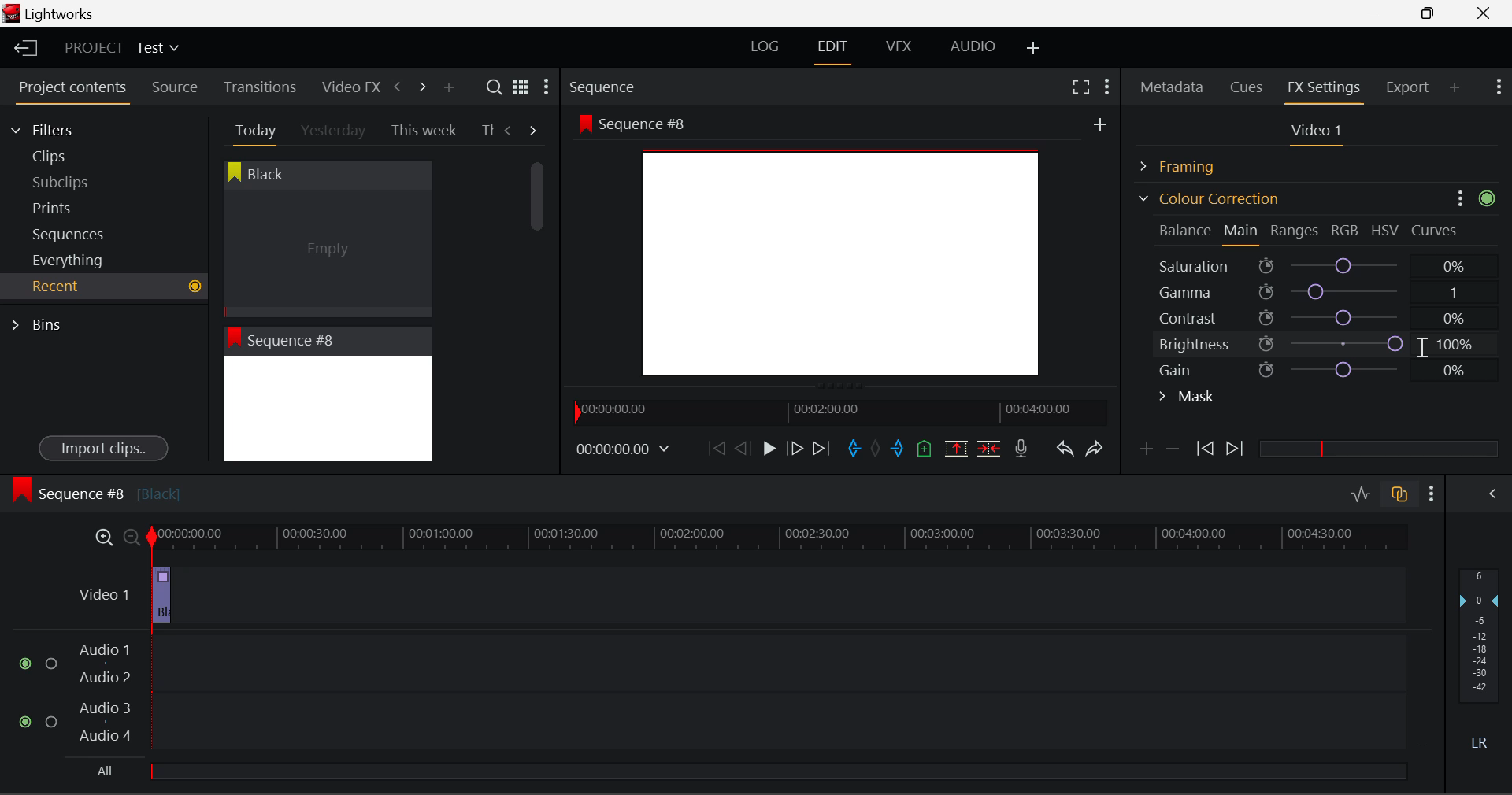 The width and height of the screenshot is (1512, 795). What do you see at coordinates (795, 448) in the screenshot?
I see `Go Forward` at bounding box center [795, 448].